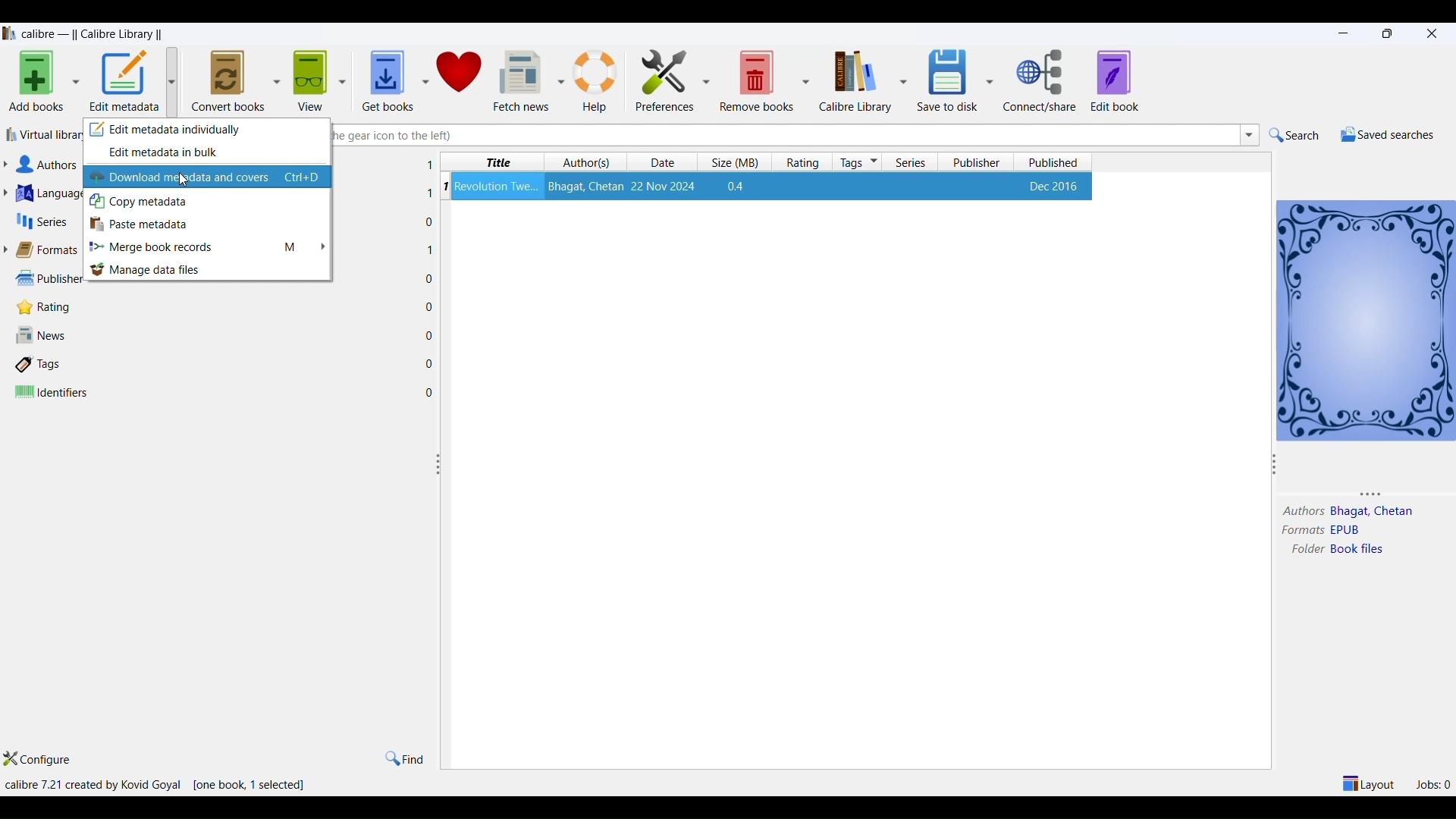 This screenshot has height=819, width=1456. I want to click on formats, so click(52, 249).